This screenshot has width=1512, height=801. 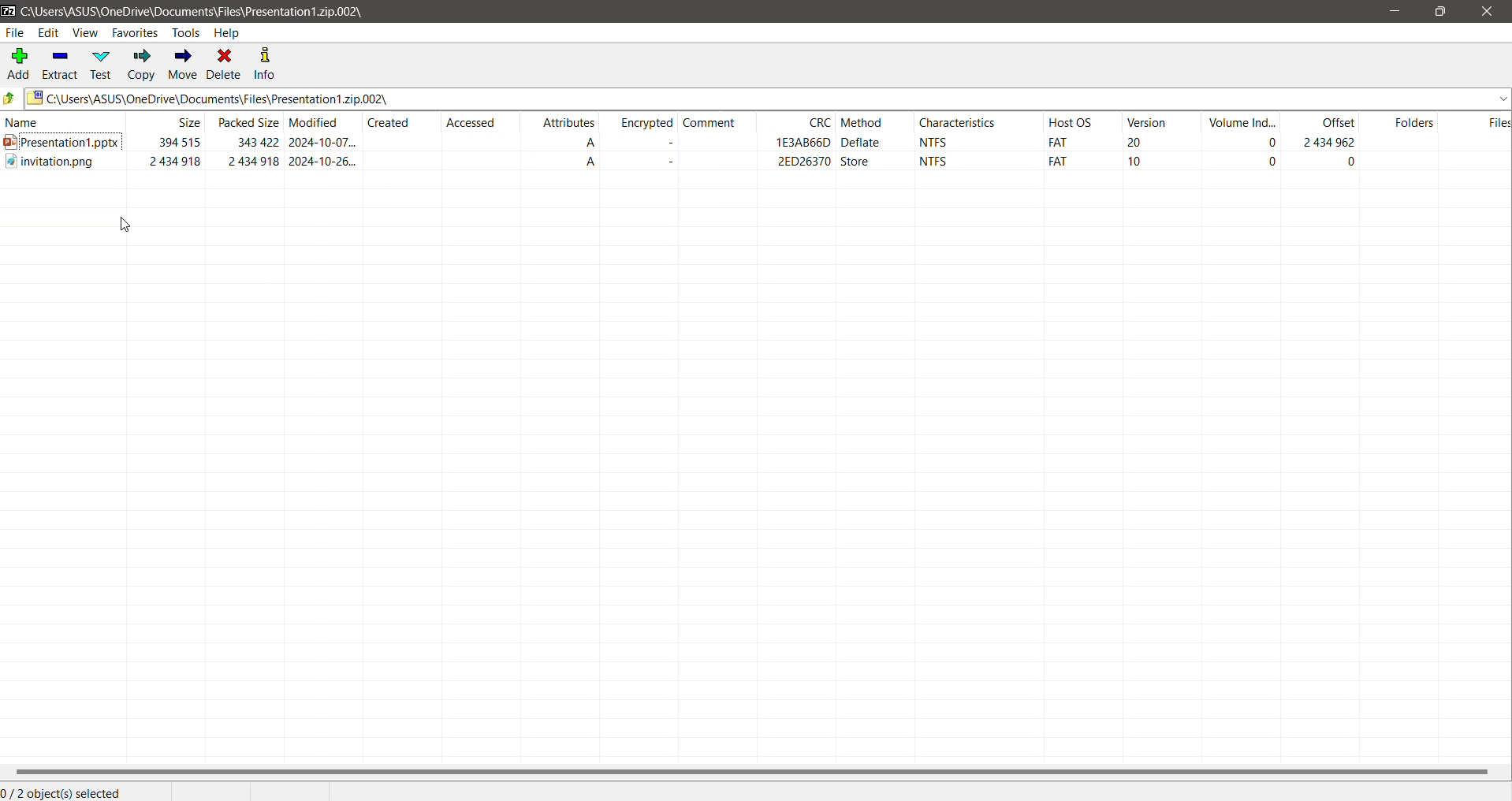 I want to click on Add, so click(x=19, y=65).